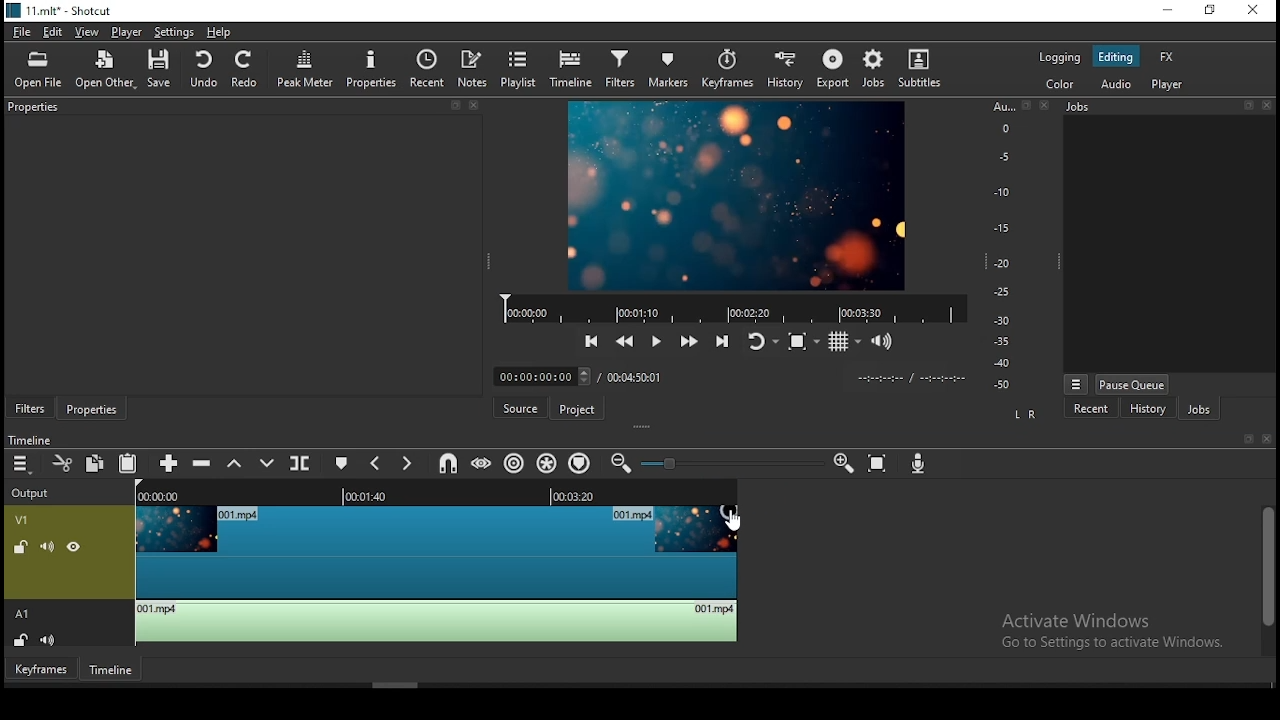 The height and width of the screenshot is (720, 1280). What do you see at coordinates (639, 376) in the screenshot?
I see `total time` at bounding box center [639, 376].